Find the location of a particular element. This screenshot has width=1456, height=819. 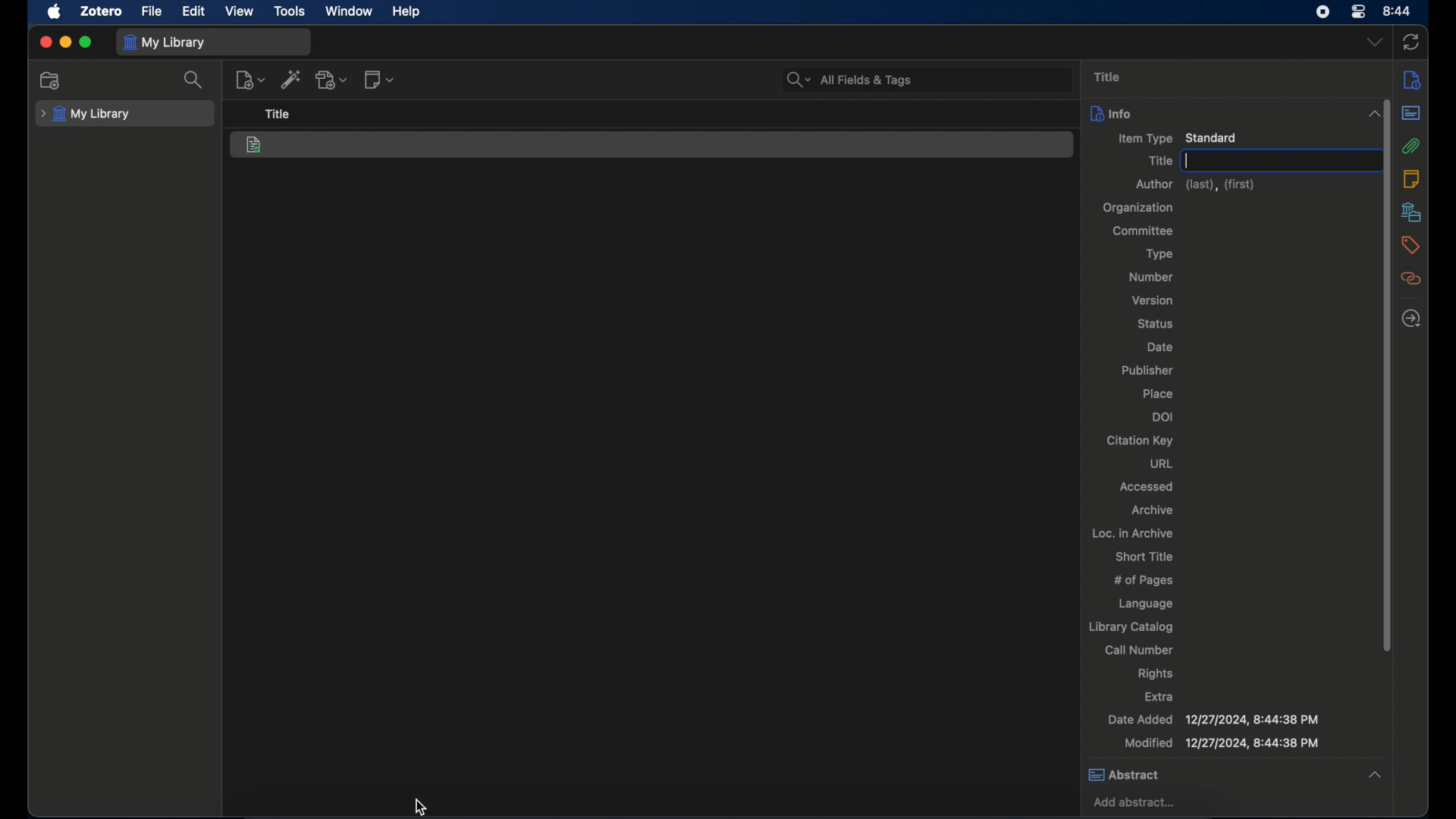

new collection is located at coordinates (52, 81).